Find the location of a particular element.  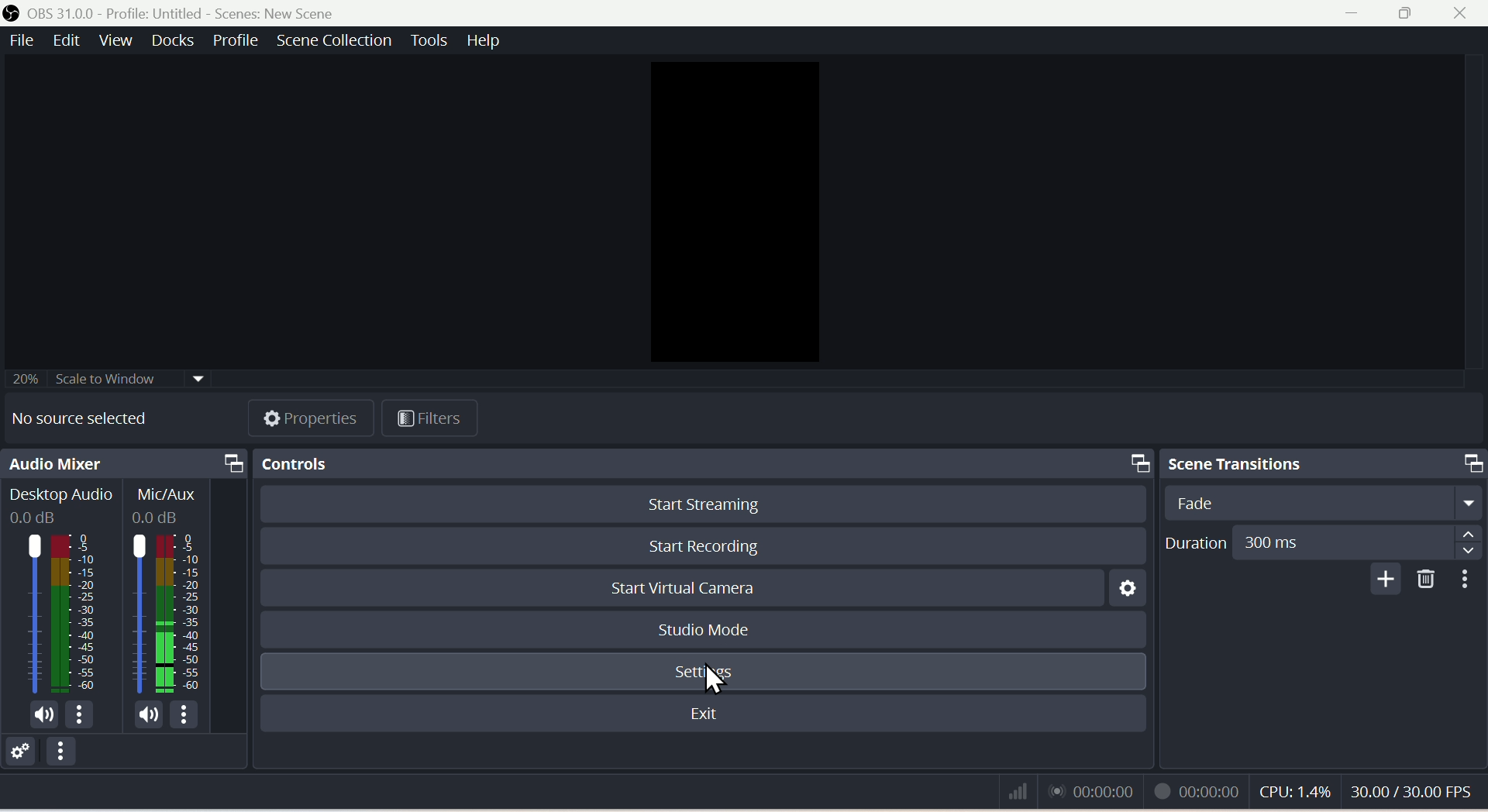

Filters is located at coordinates (430, 415).